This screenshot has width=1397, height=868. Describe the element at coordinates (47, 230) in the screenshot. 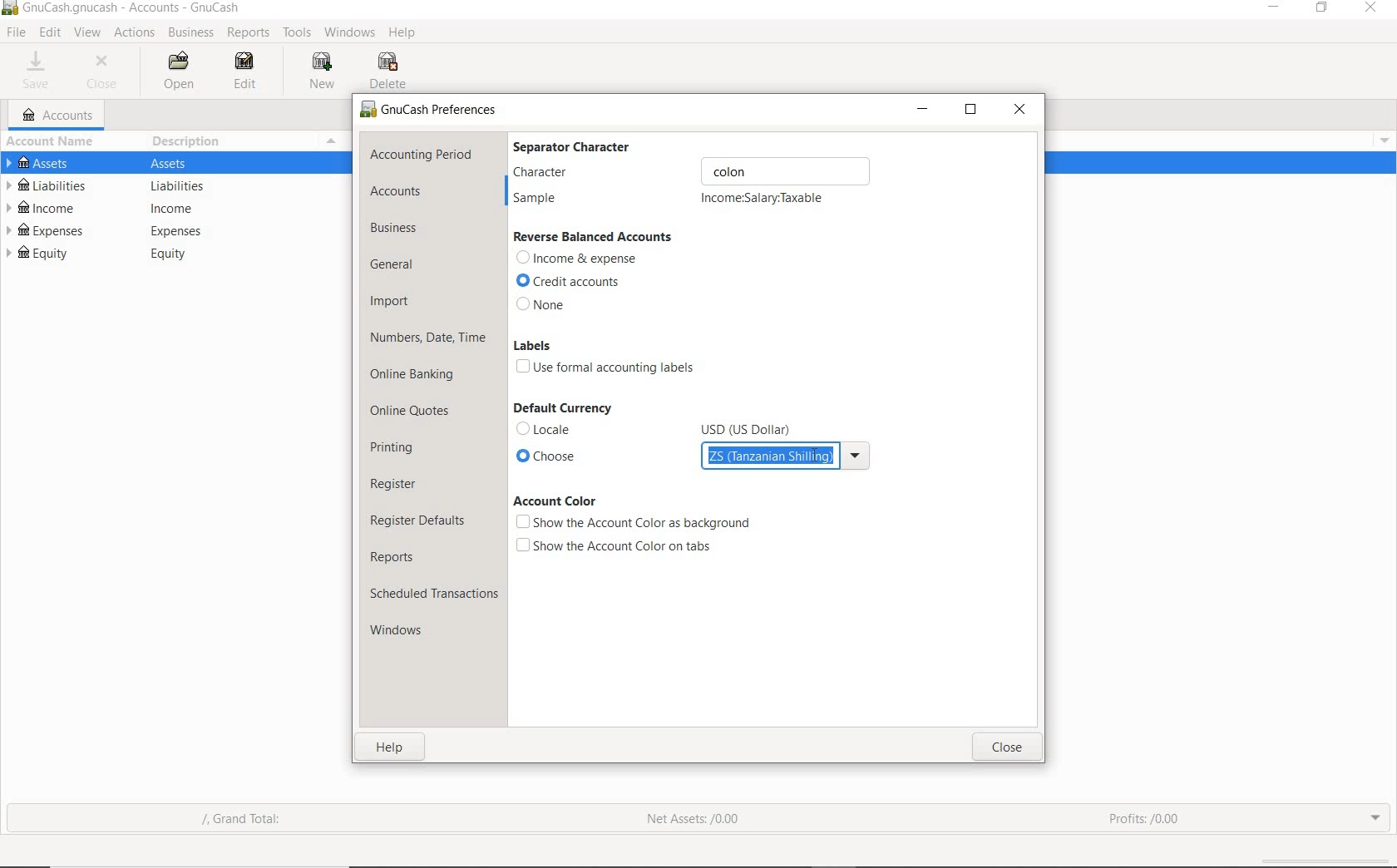

I see `EXPENSES` at that location.